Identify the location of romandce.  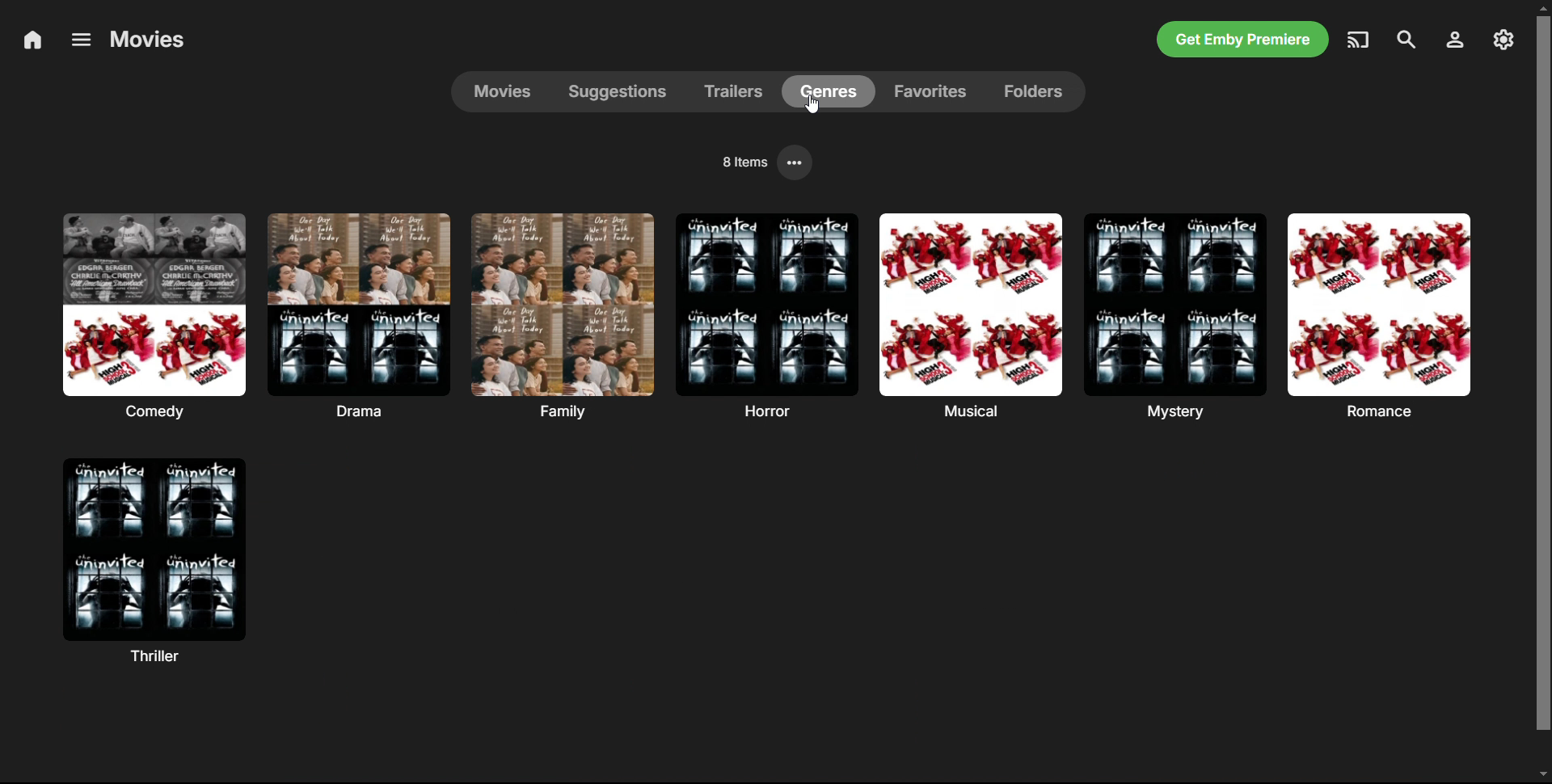
(1378, 314).